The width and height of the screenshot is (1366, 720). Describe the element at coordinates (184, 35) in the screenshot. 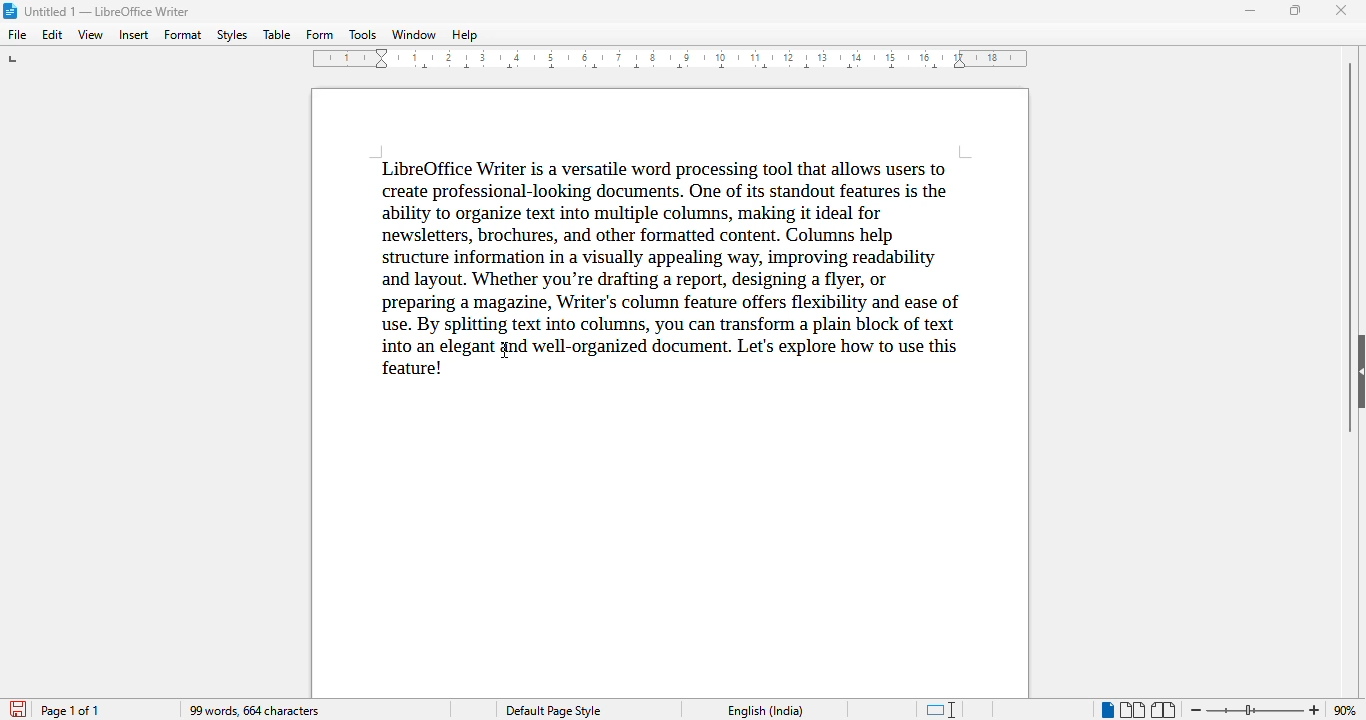

I see `format` at that location.